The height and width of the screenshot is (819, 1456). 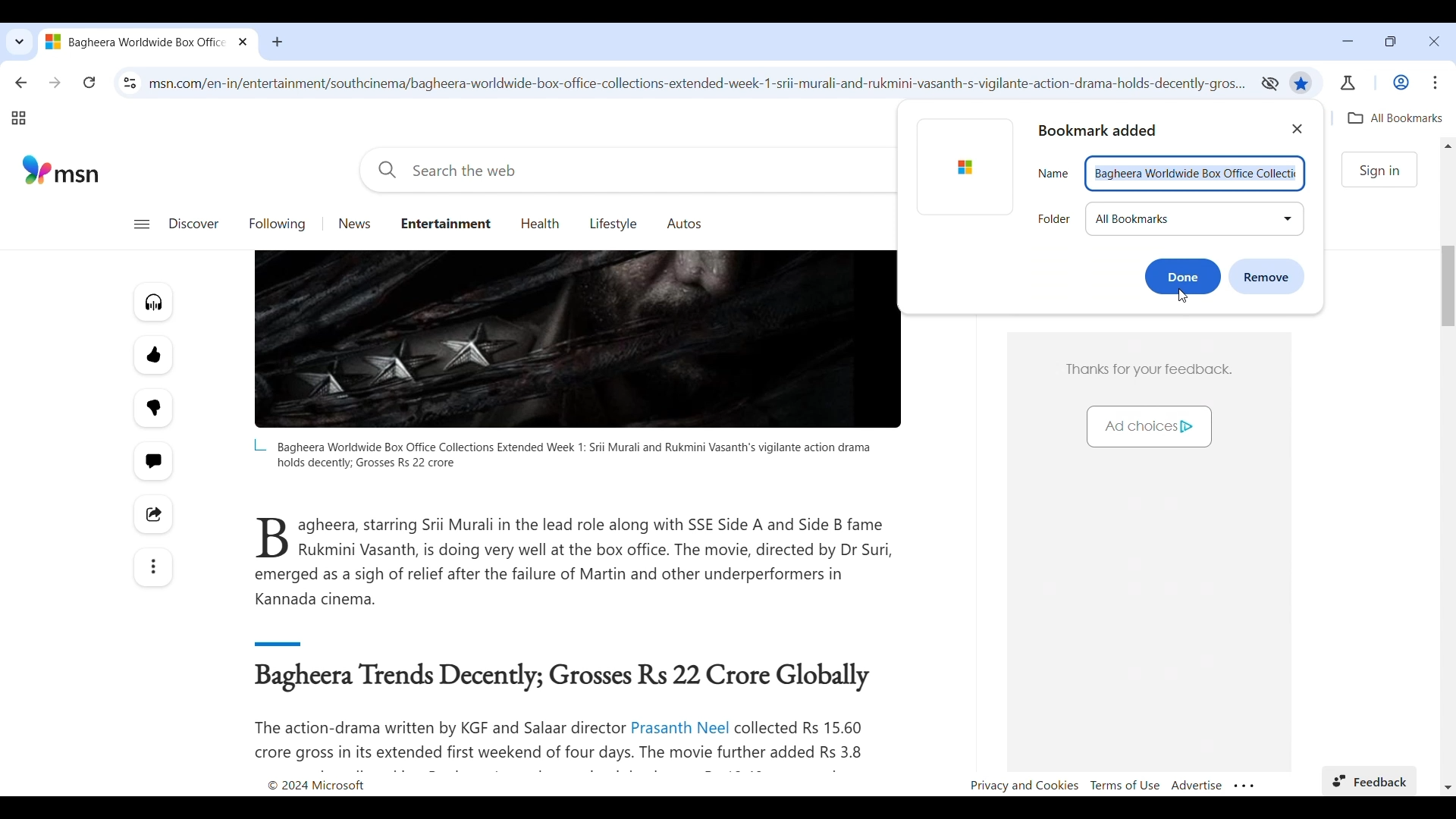 What do you see at coordinates (1372, 778) in the screenshot?
I see `Feedback` at bounding box center [1372, 778].